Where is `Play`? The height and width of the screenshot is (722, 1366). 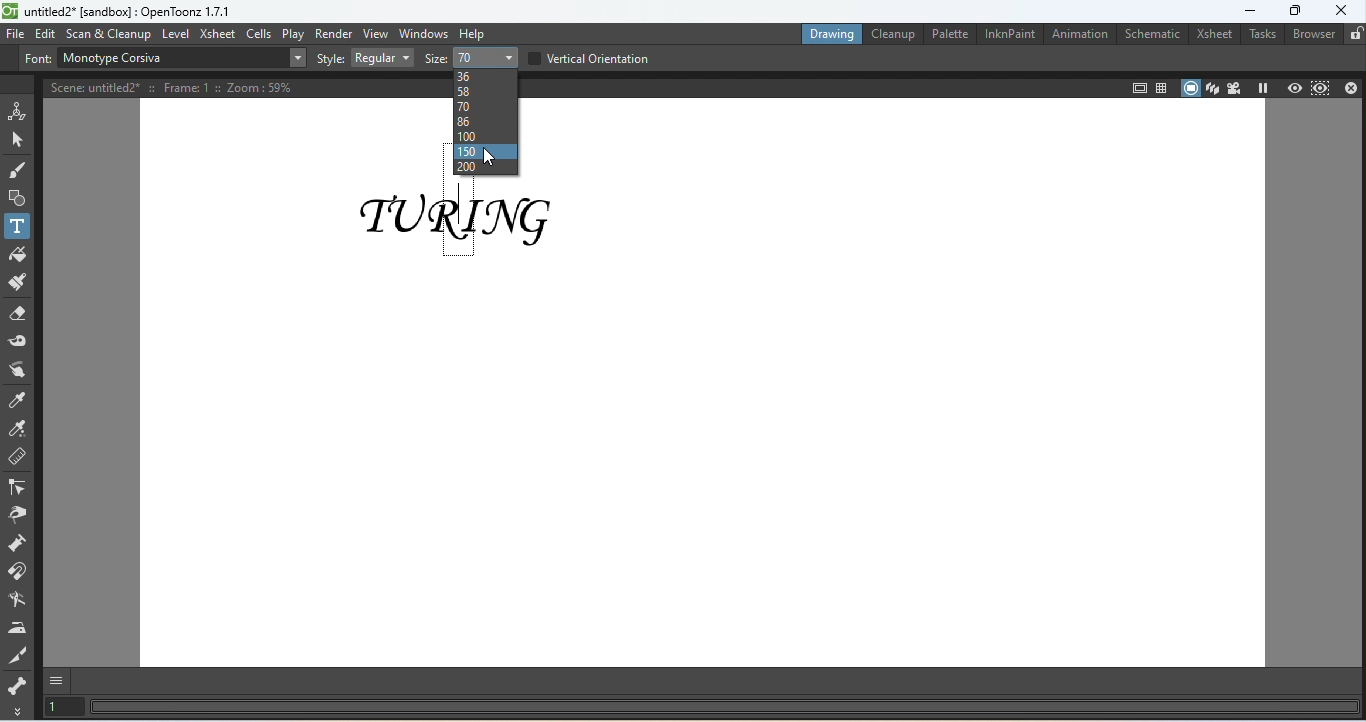 Play is located at coordinates (294, 33).